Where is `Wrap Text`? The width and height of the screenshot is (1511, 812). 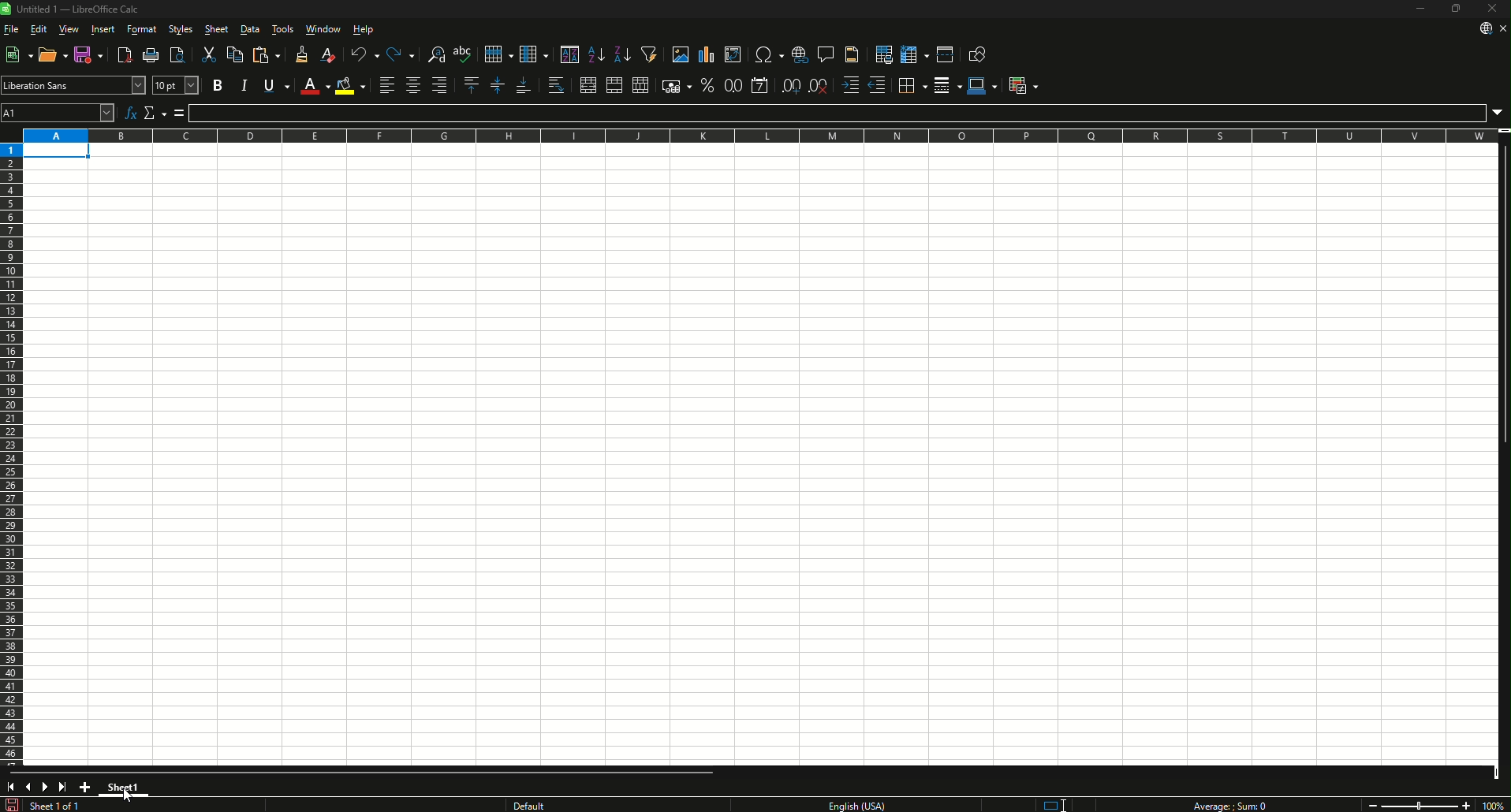 Wrap Text is located at coordinates (556, 85).